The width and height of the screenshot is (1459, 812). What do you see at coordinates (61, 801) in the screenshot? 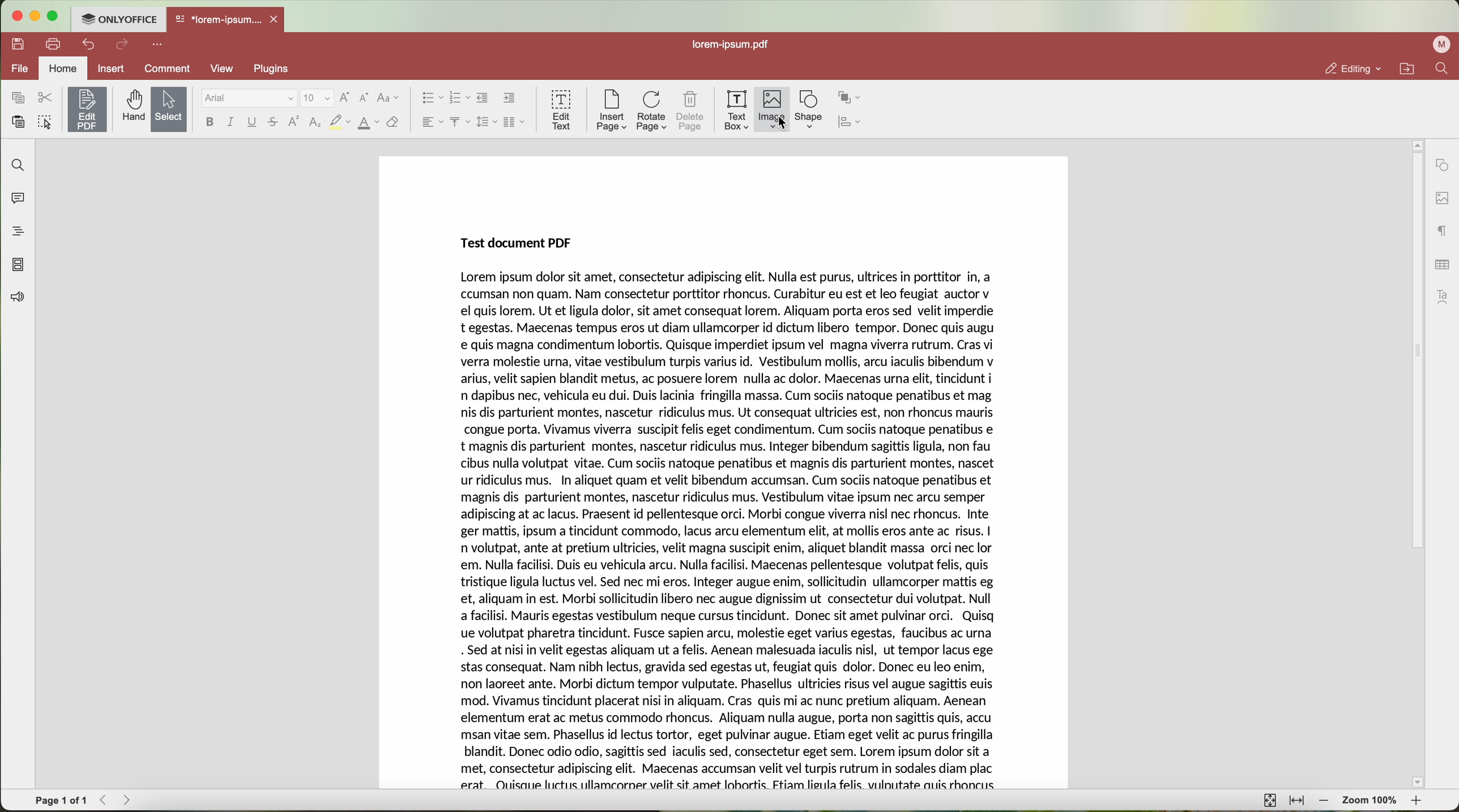
I see `page 1 of 1` at bounding box center [61, 801].